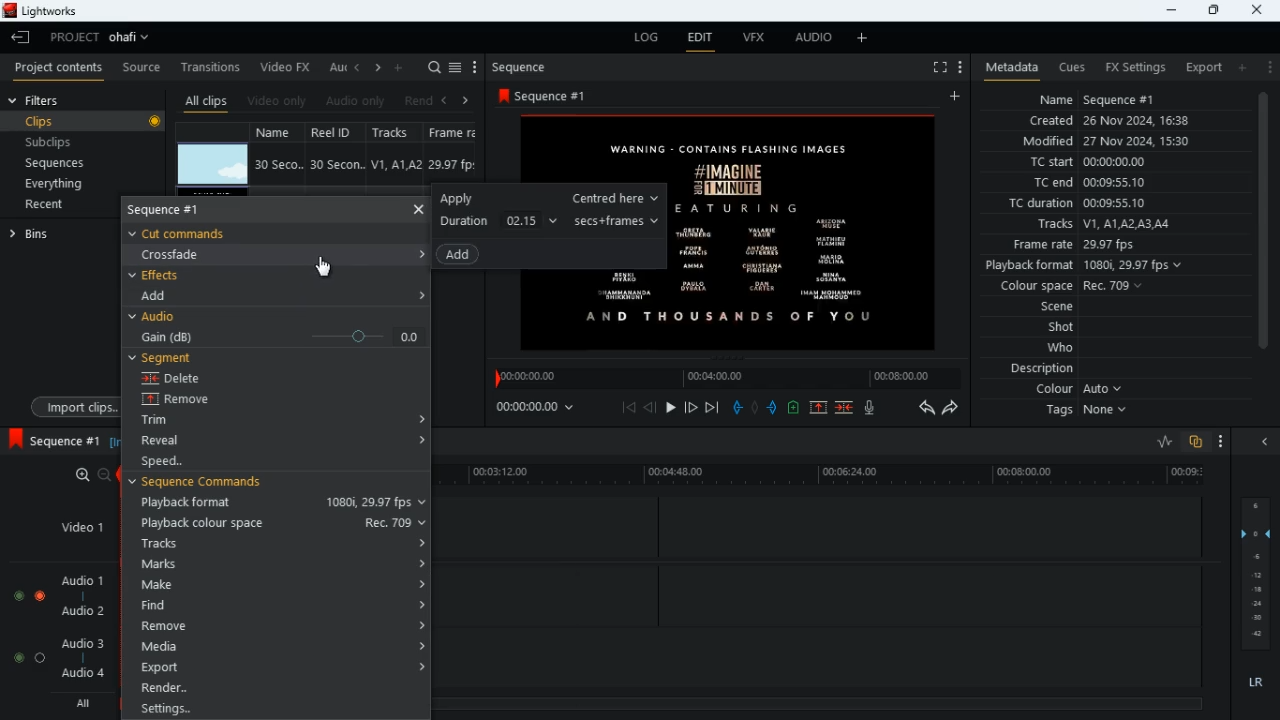 Image resolution: width=1280 pixels, height=720 pixels. Describe the element at coordinates (1104, 245) in the screenshot. I see `frame rate` at that location.